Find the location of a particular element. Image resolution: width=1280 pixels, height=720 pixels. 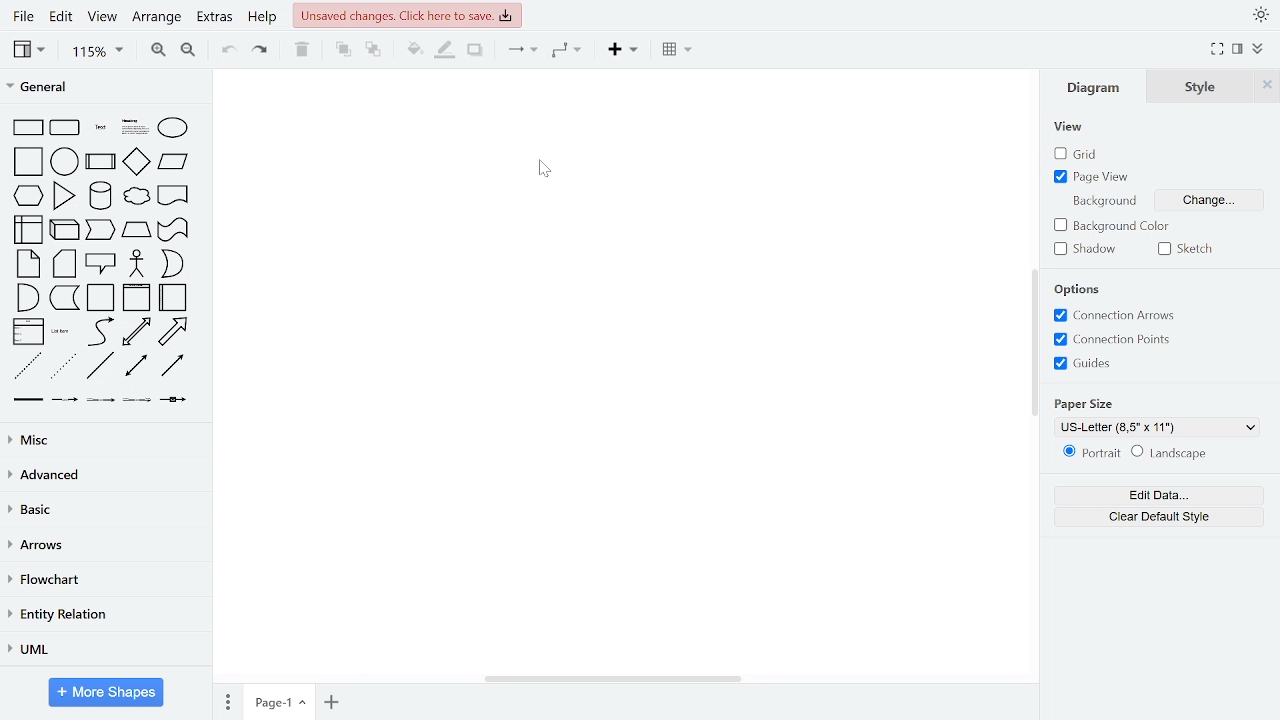

format is located at coordinates (1239, 50).